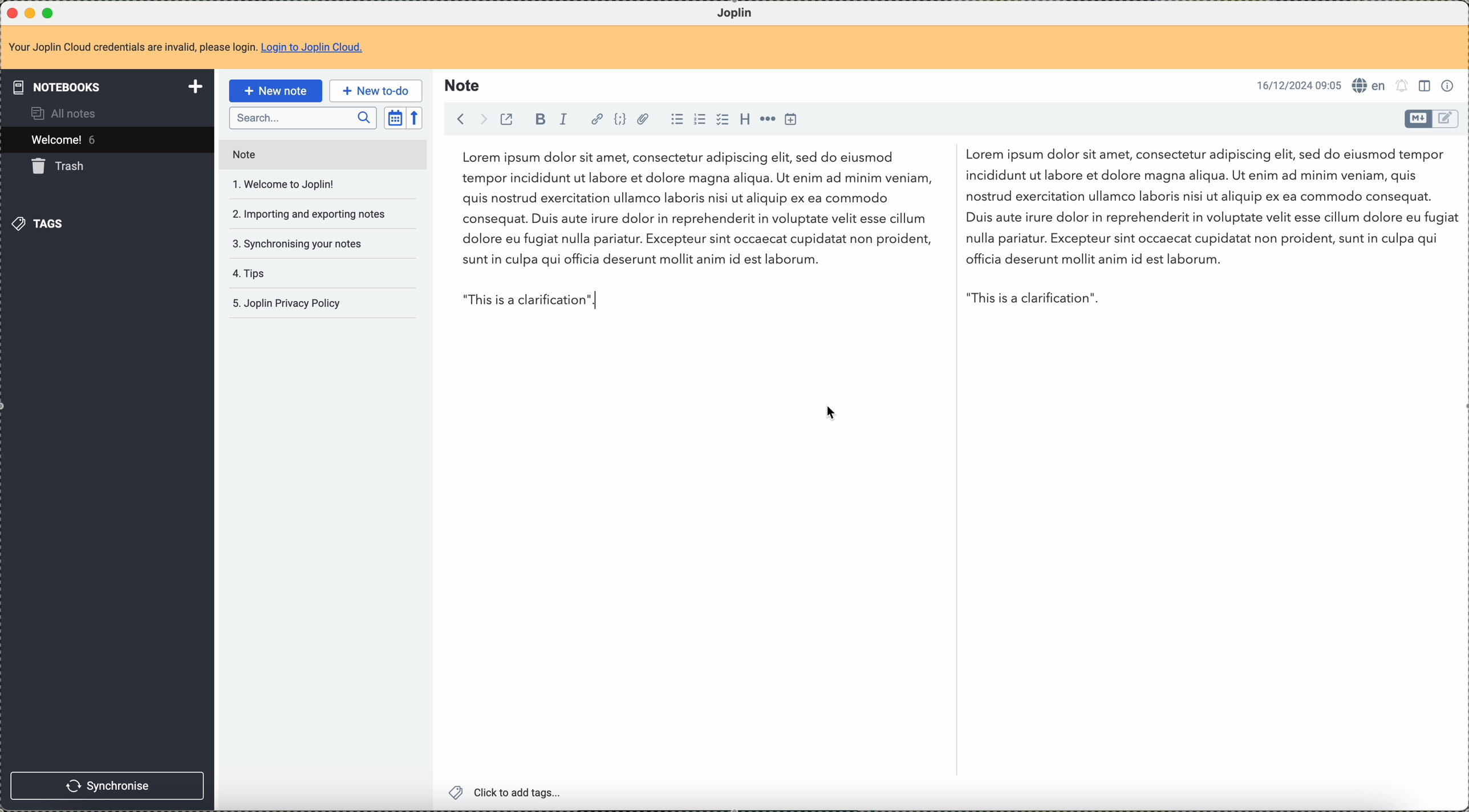 The width and height of the screenshot is (1469, 812). I want to click on note properties, so click(1450, 88).